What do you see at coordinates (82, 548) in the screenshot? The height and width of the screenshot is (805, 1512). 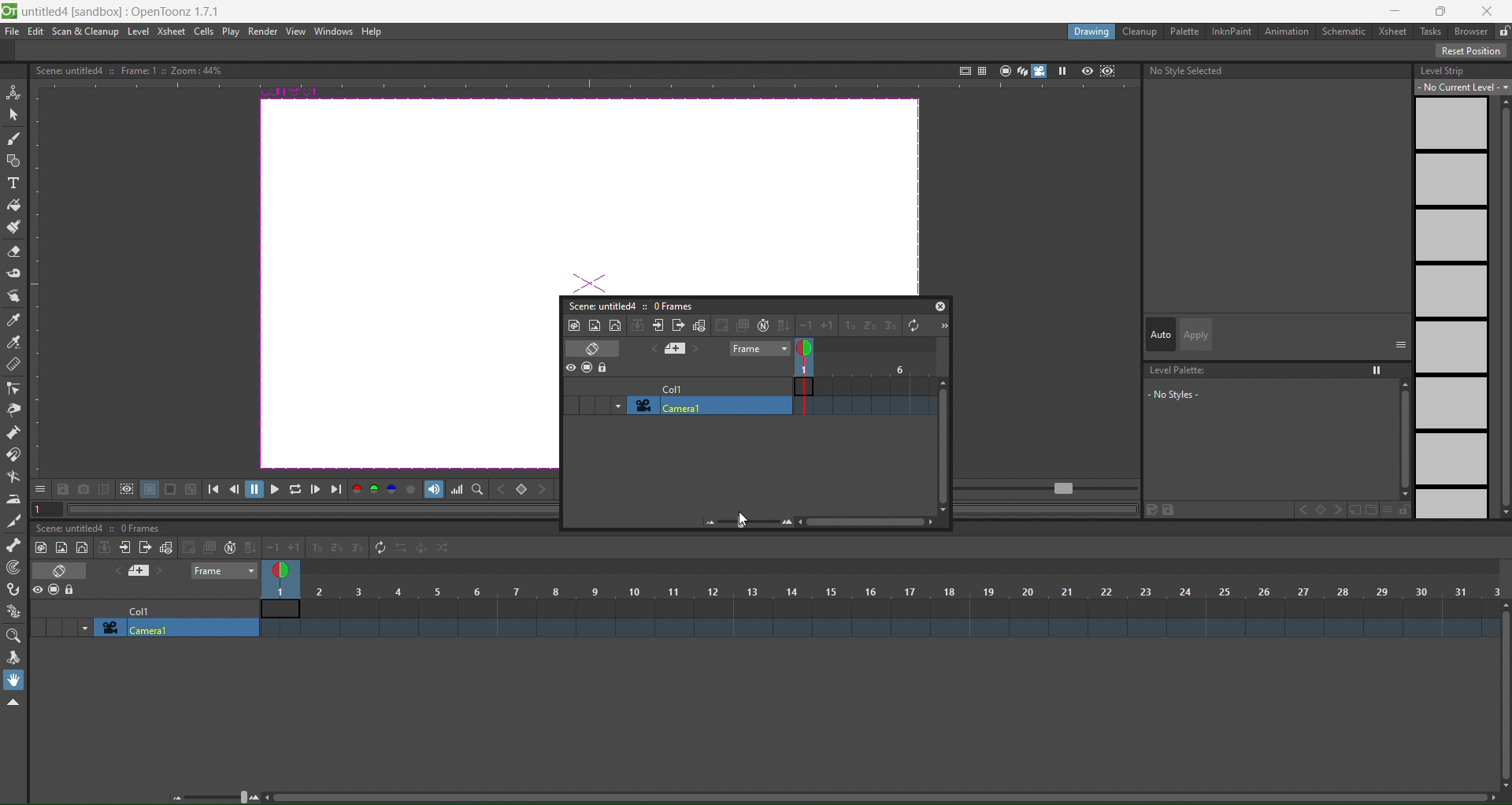 I see `new vector level` at bounding box center [82, 548].